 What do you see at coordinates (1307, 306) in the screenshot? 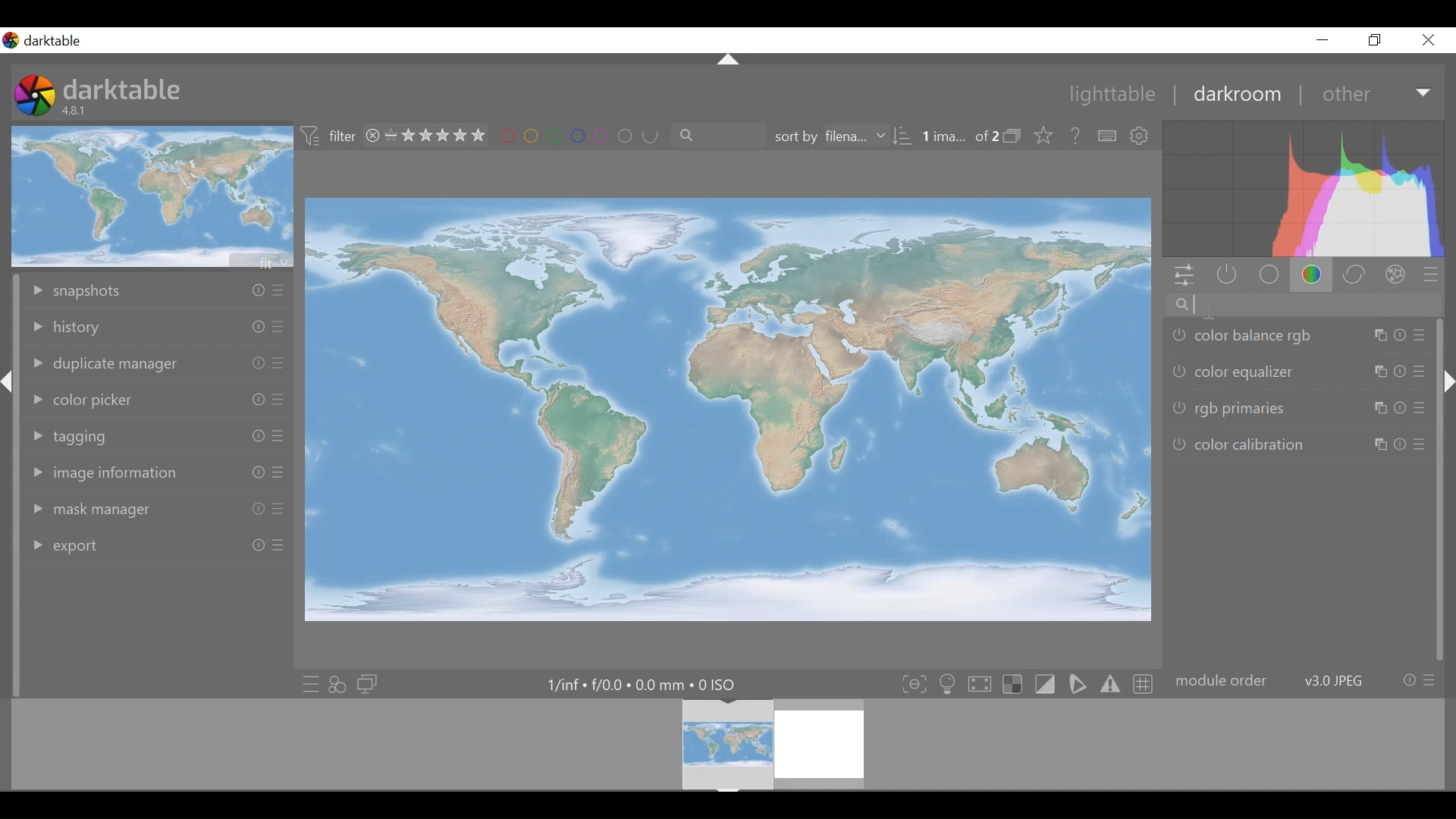
I see `search modules` at bounding box center [1307, 306].